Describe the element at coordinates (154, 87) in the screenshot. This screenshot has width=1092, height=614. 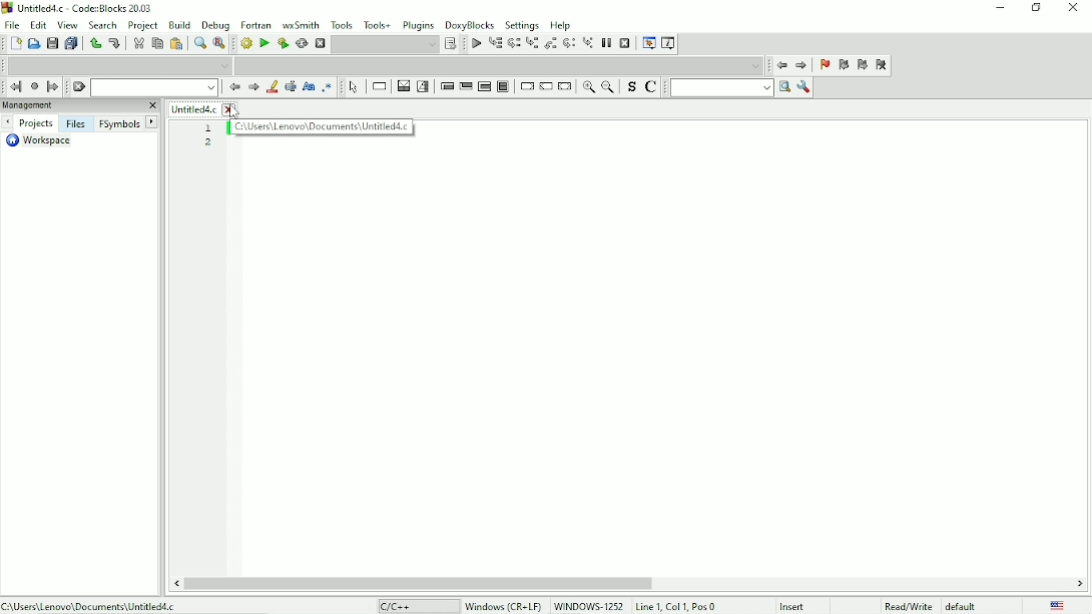
I see `Drop down` at that location.